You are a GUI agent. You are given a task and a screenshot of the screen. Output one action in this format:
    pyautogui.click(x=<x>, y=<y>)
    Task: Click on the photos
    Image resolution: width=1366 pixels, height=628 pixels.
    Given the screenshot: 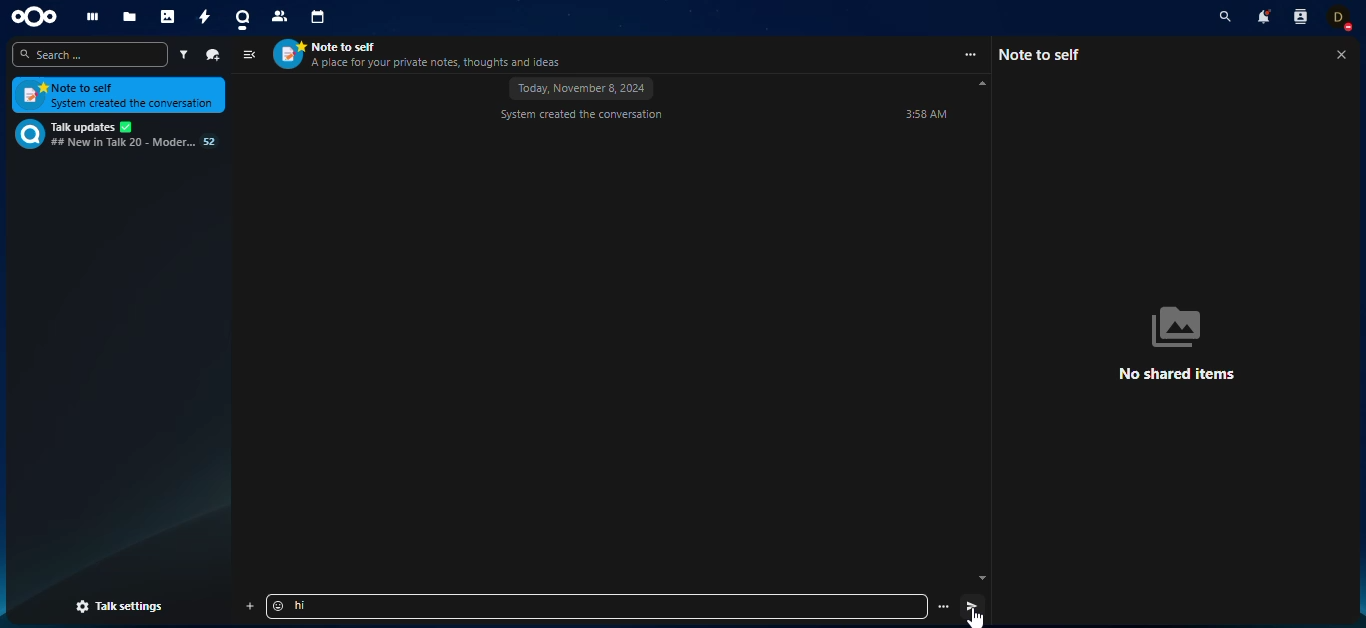 What is the action you would take?
    pyautogui.click(x=170, y=17)
    